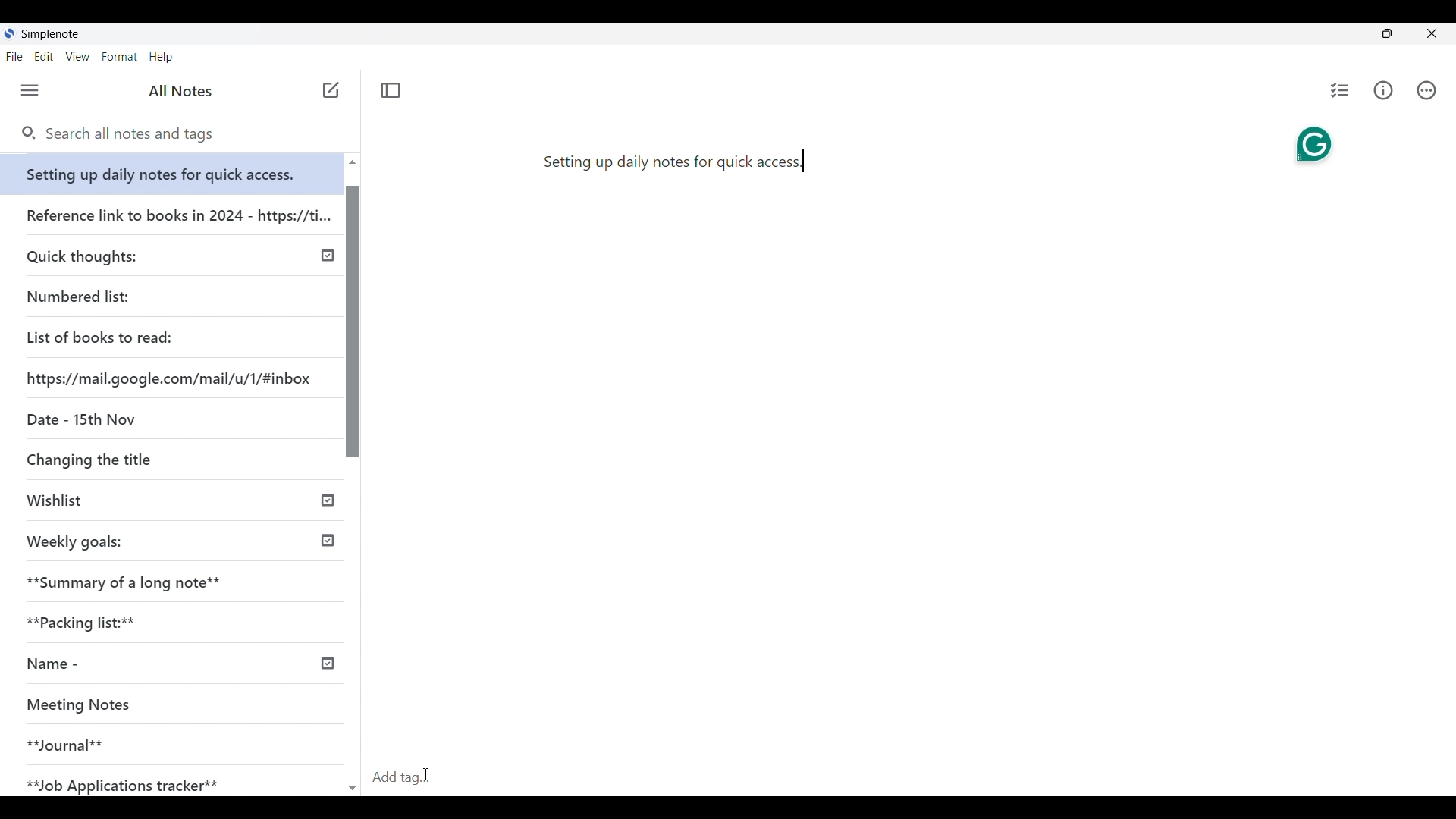  I want to click on published, so click(326, 664).